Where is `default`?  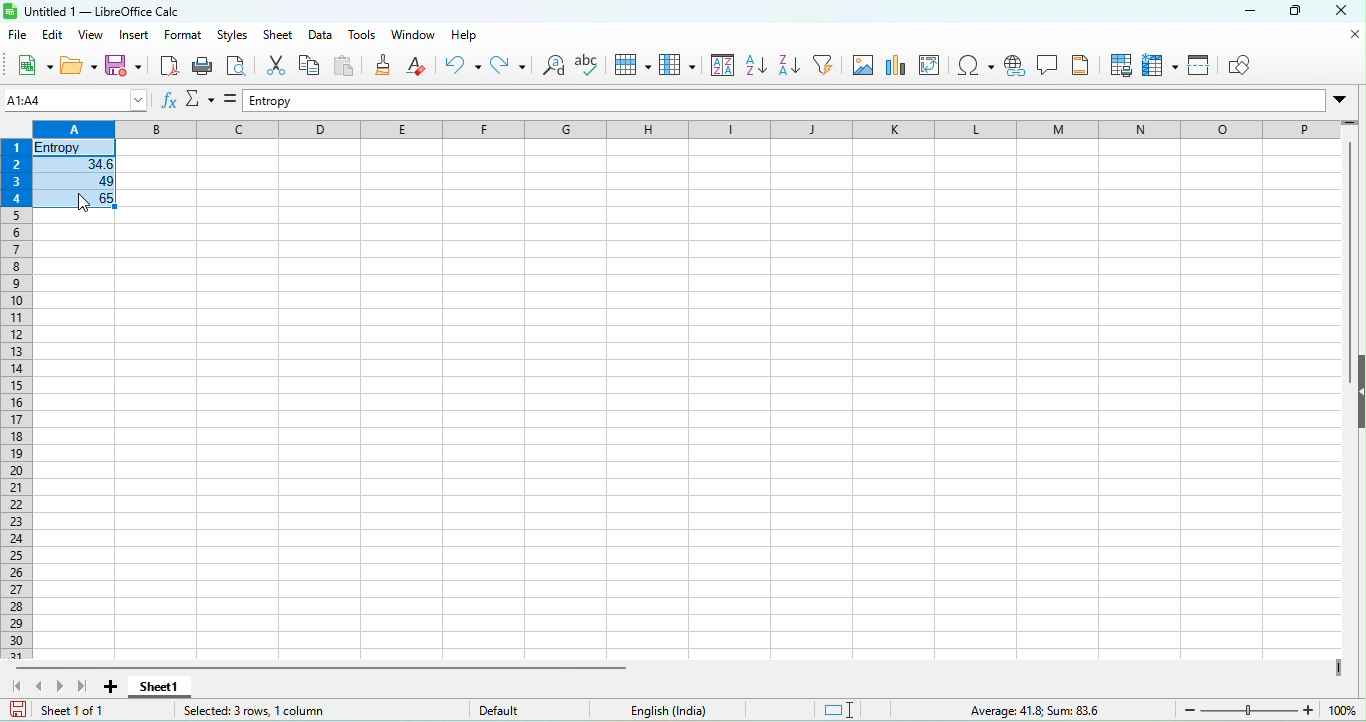 default is located at coordinates (534, 710).